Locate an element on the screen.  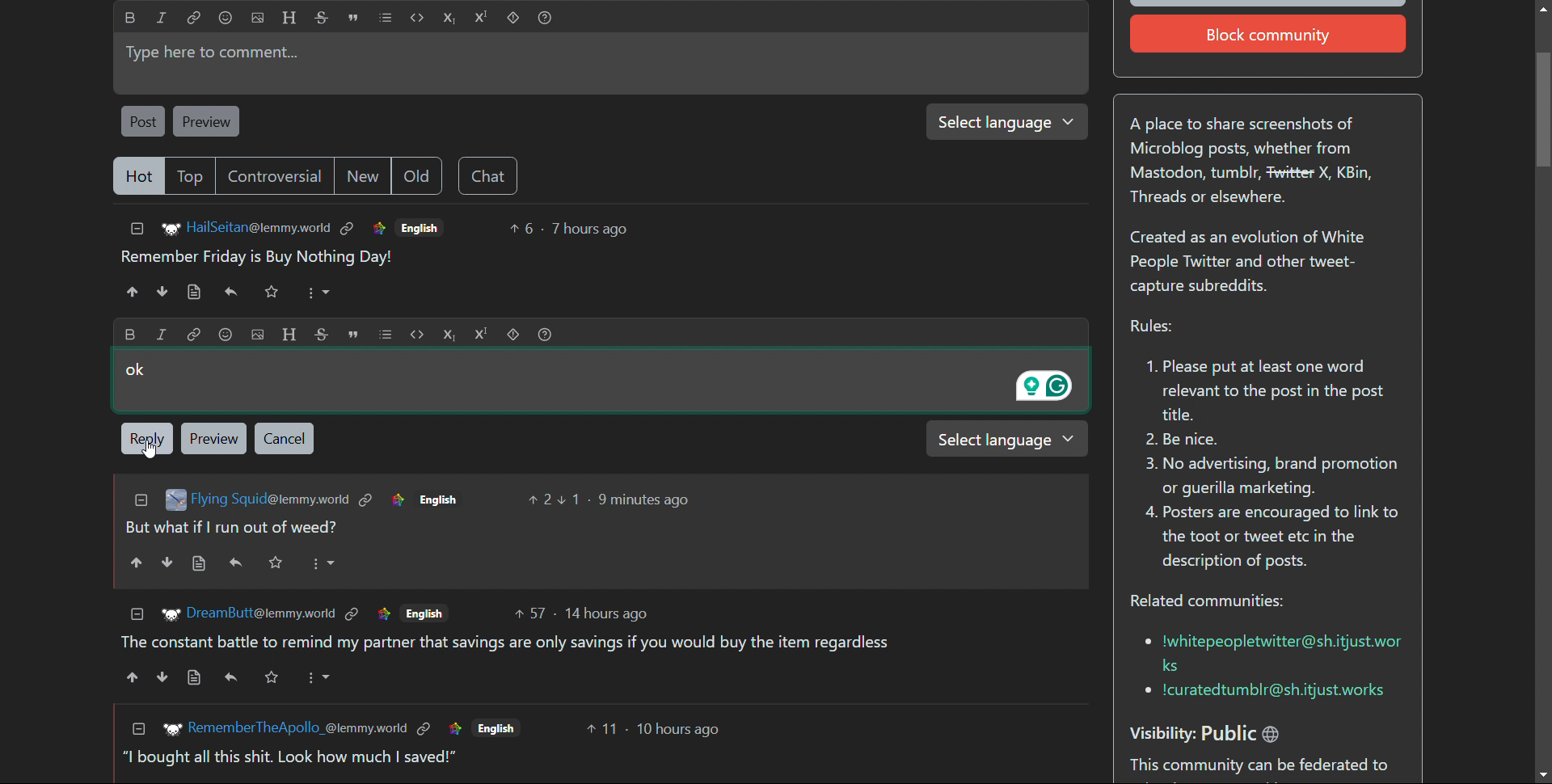
comment is located at coordinates (603, 644).